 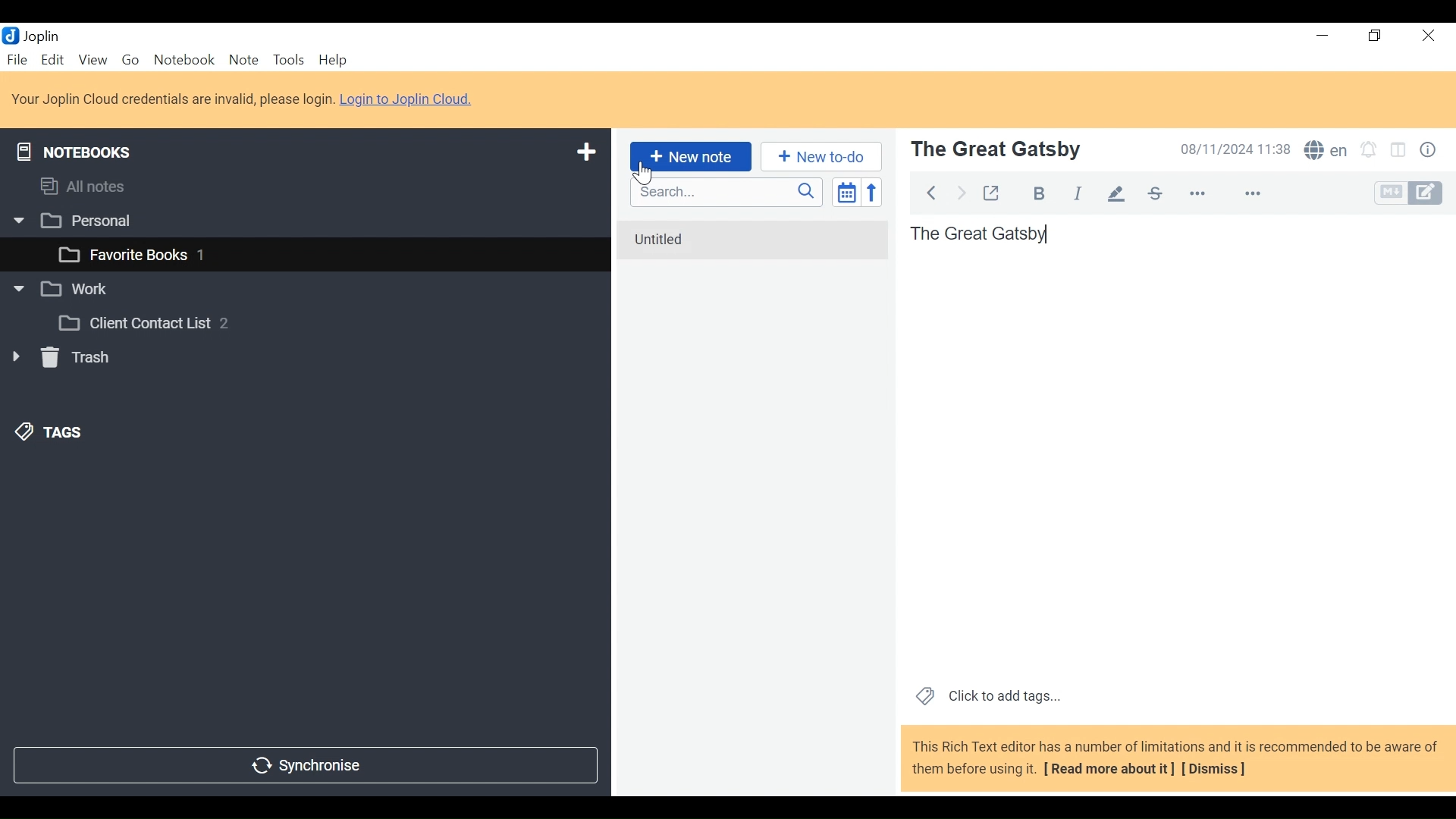 I want to click on The great gatsby, so click(x=1174, y=421).